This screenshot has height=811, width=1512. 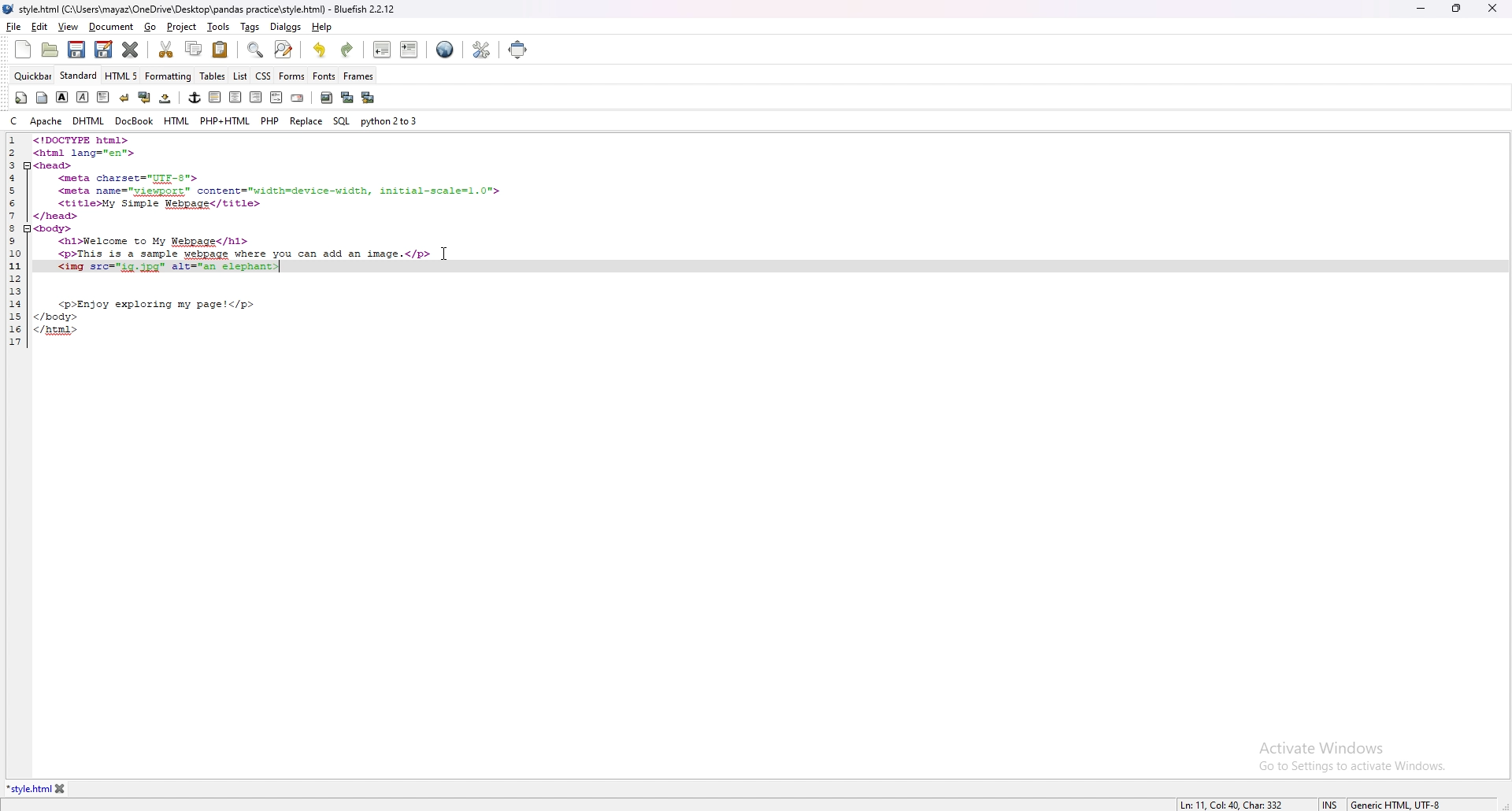 What do you see at coordinates (279, 191) in the screenshot?
I see `<meta name="yiewport"™ content="width=device-width, initial-scale=1.0">` at bounding box center [279, 191].